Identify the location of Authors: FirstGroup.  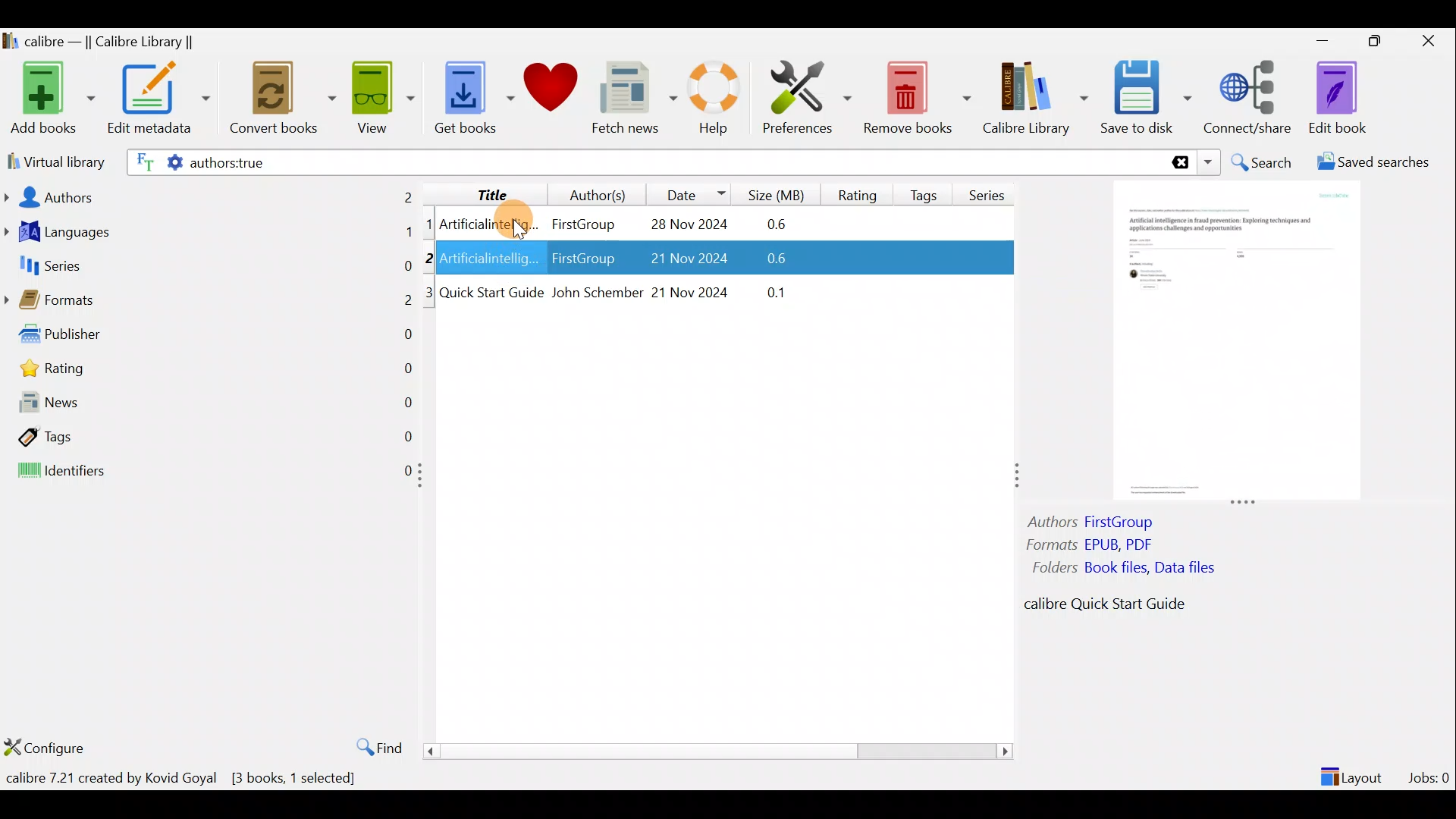
(1095, 524).